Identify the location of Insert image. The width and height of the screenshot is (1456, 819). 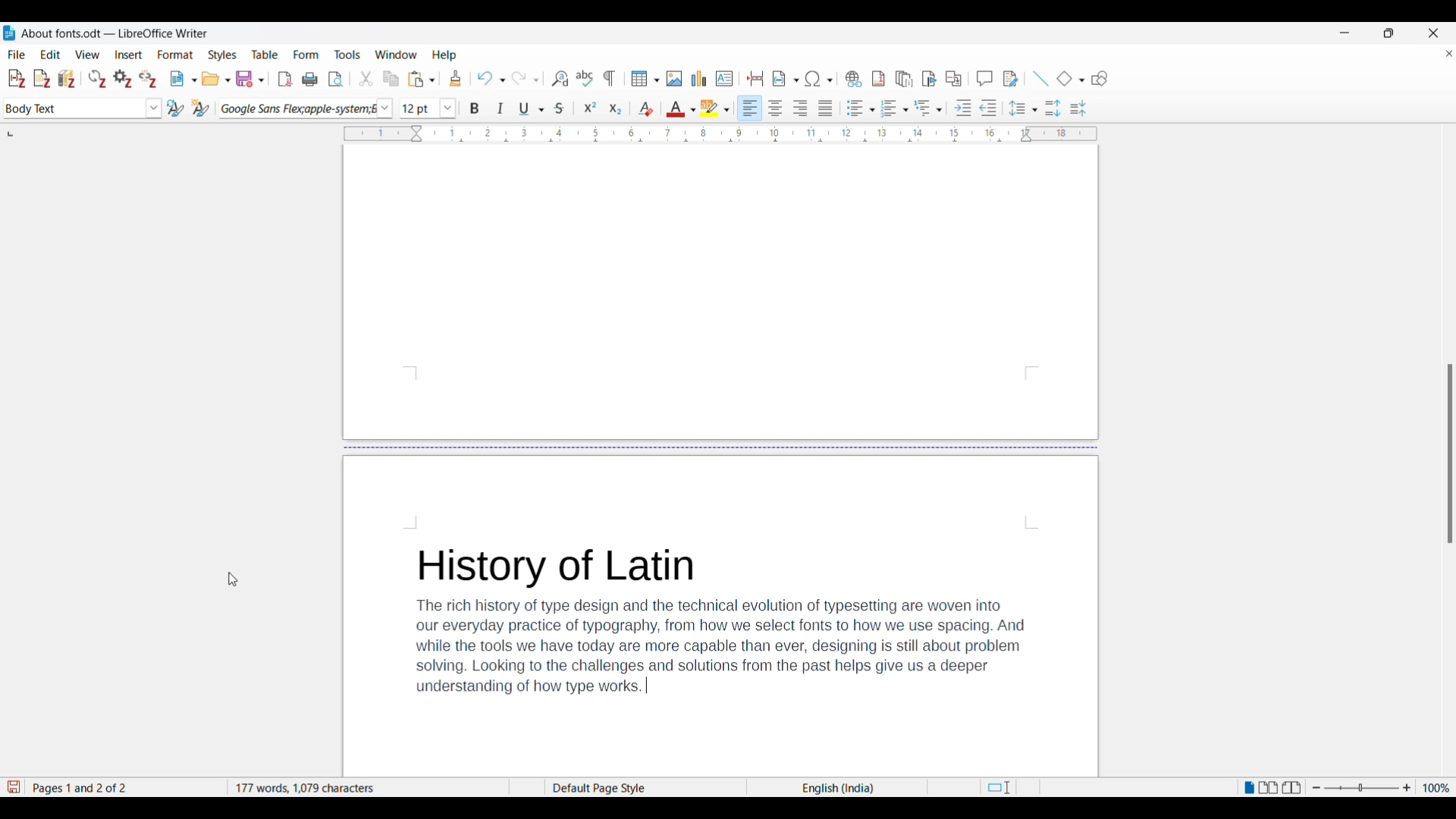
(674, 79).